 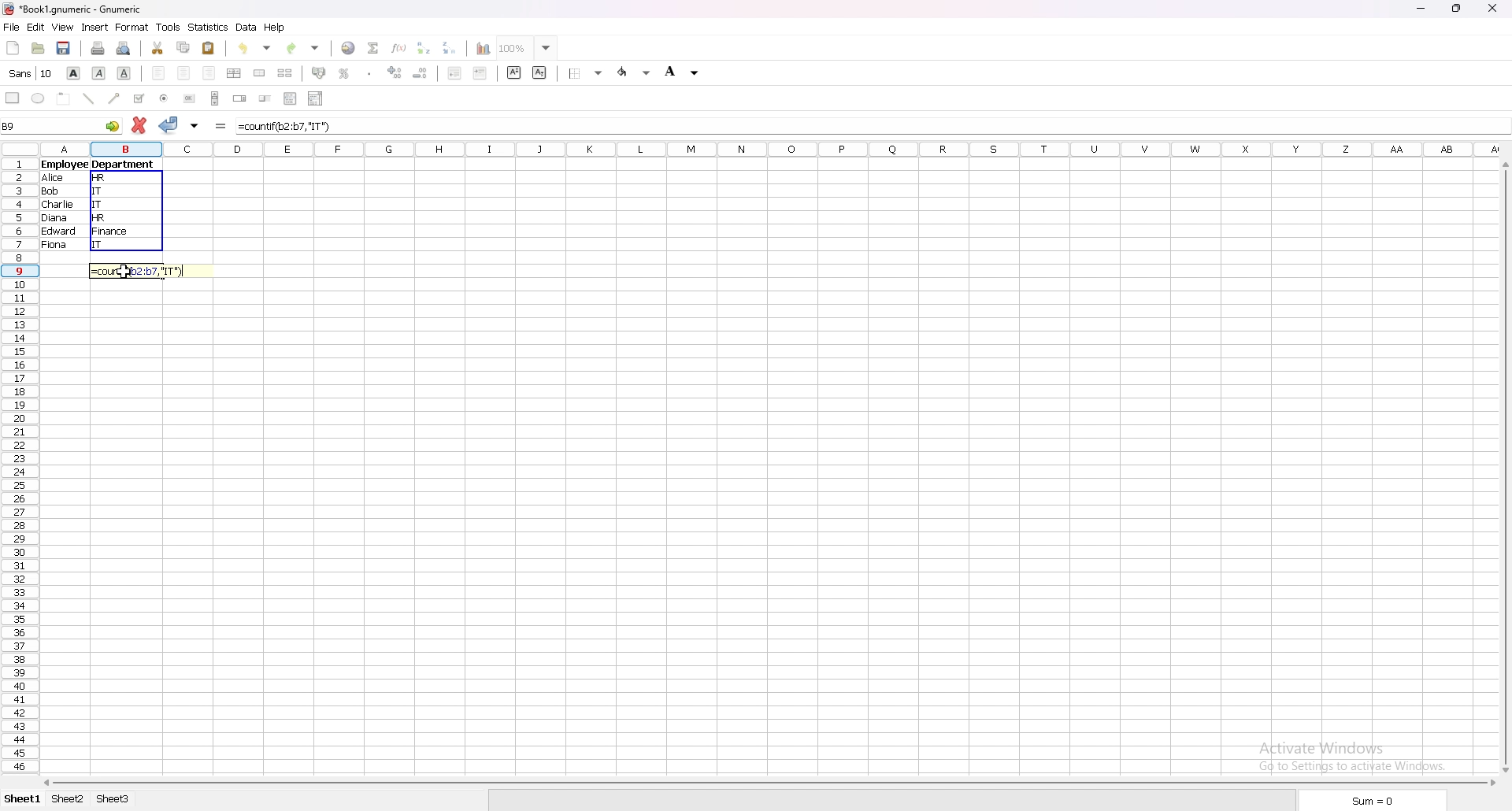 What do you see at coordinates (344, 73) in the screenshot?
I see `percentage` at bounding box center [344, 73].